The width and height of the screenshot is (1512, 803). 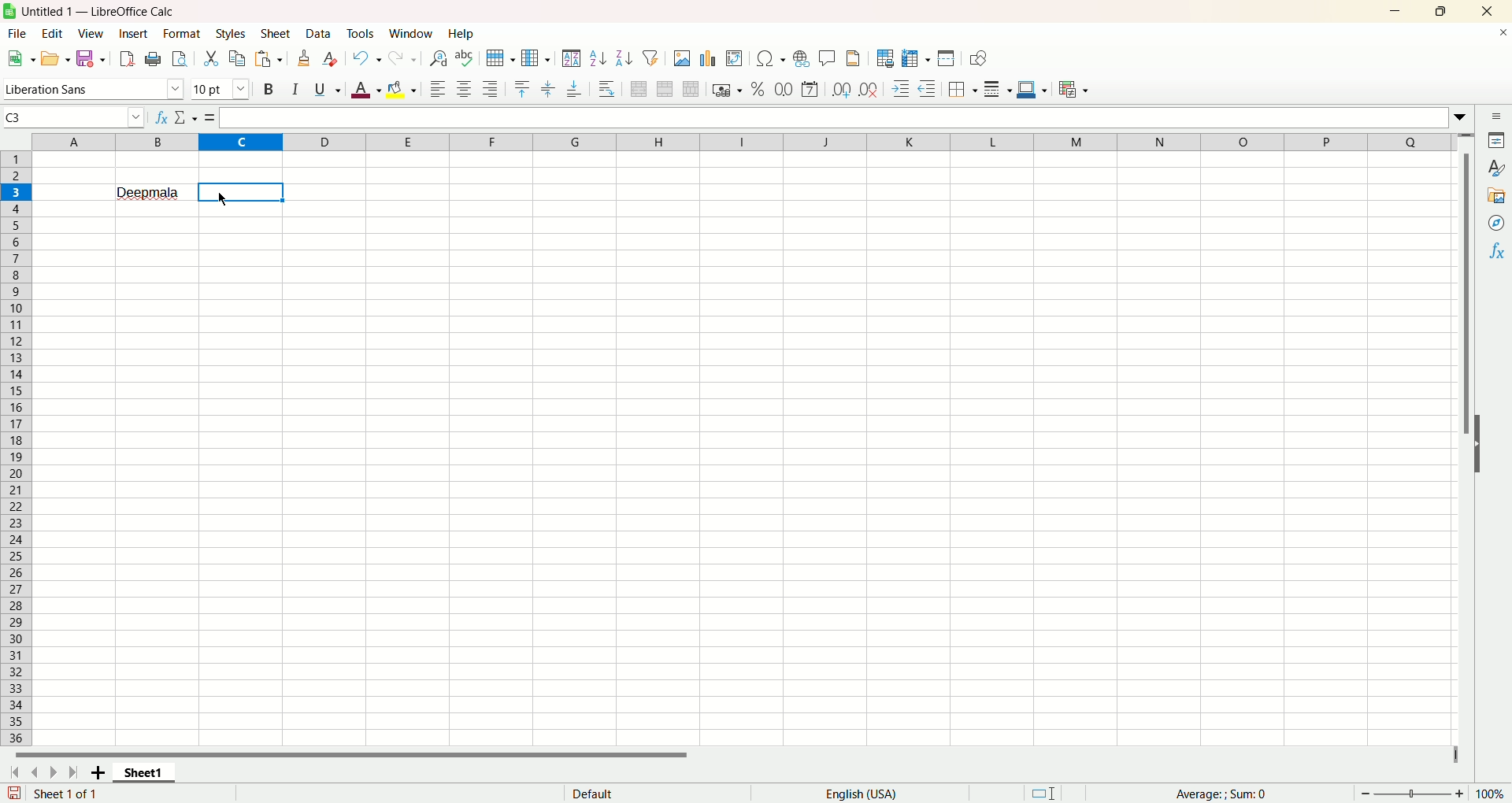 I want to click on Find and replace, so click(x=439, y=58).